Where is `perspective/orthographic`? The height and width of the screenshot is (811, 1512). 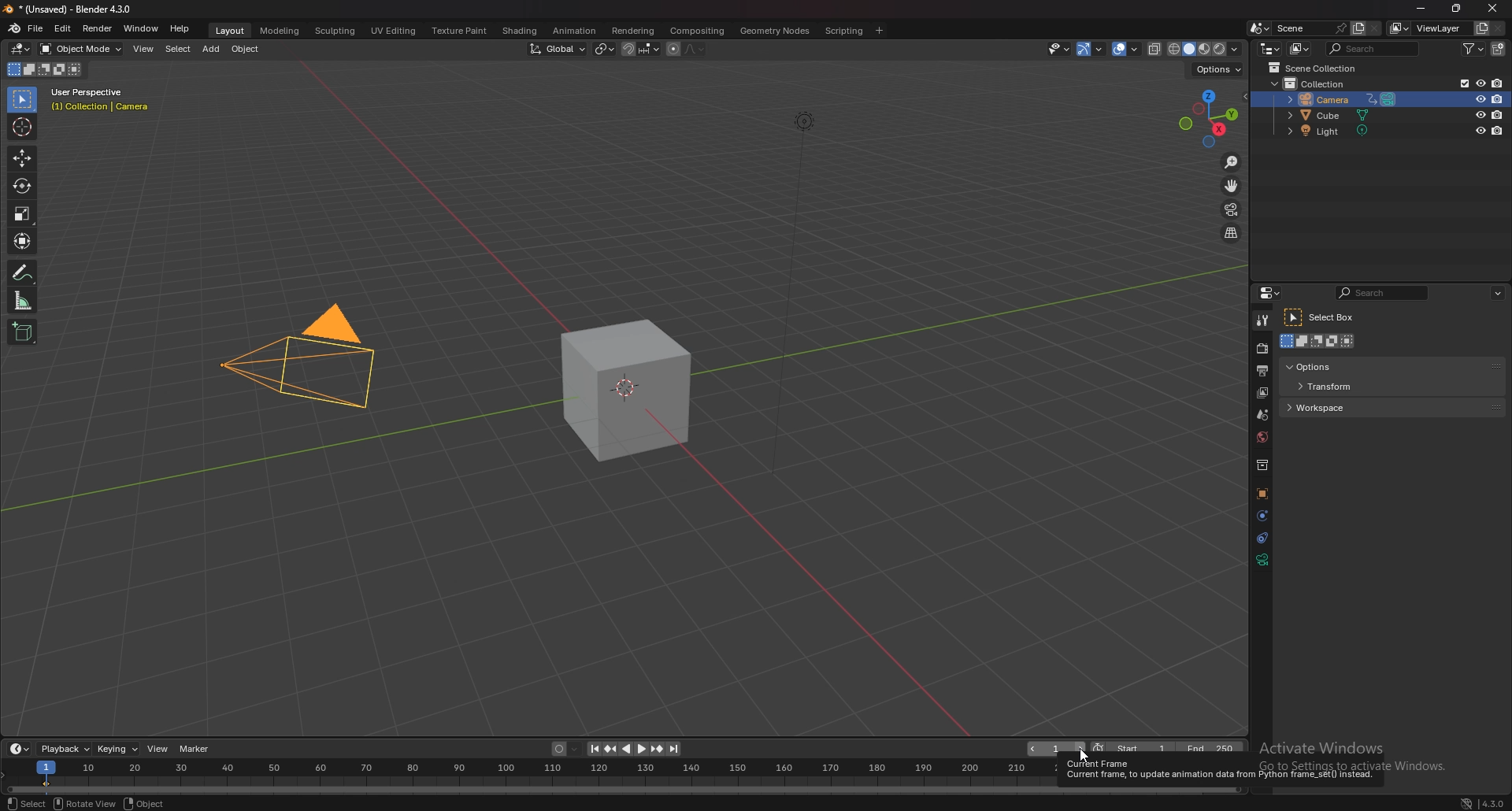 perspective/orthographic is located at coordinates (1232, 233).